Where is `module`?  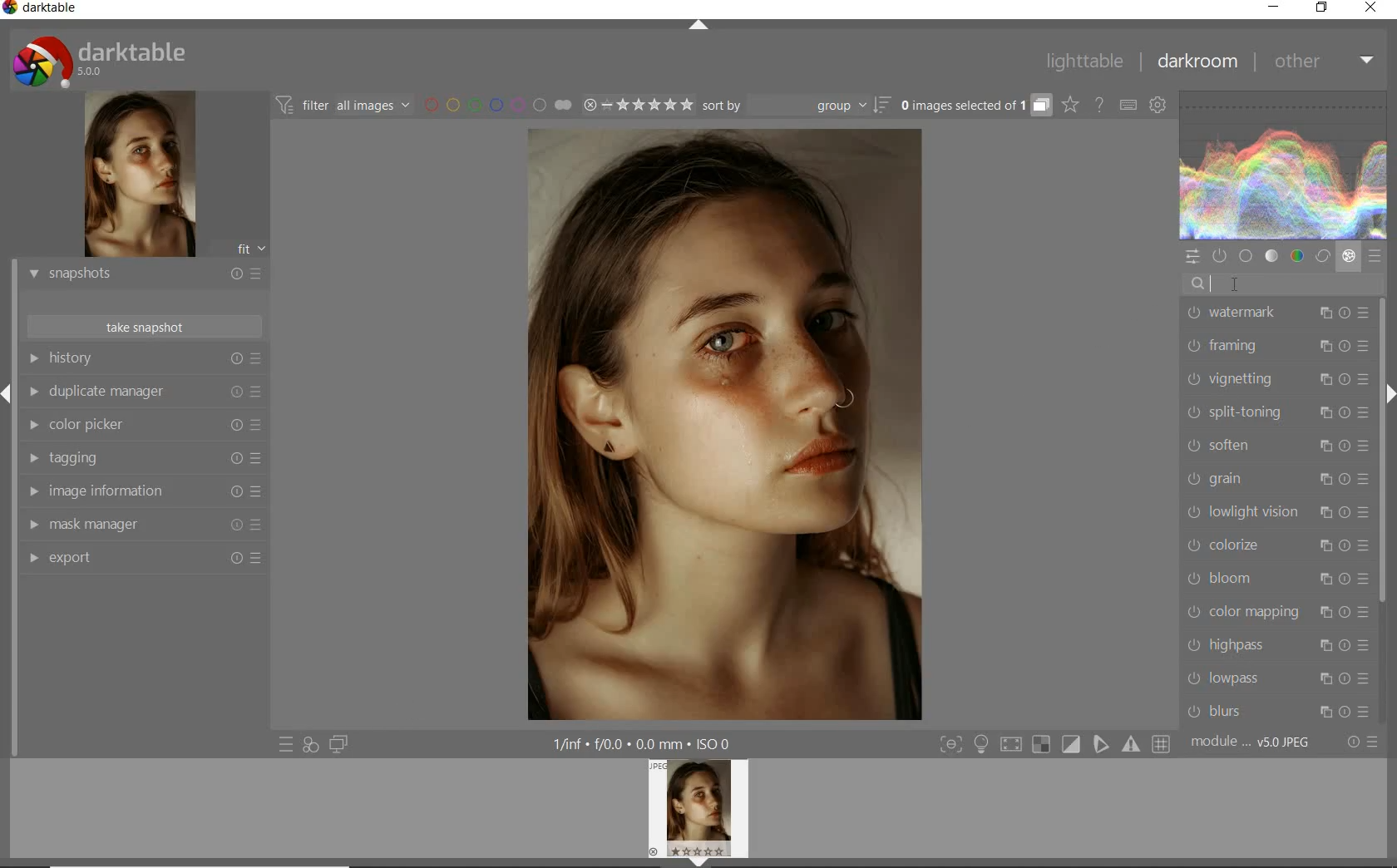
module is located at coordinates (1252, 742).